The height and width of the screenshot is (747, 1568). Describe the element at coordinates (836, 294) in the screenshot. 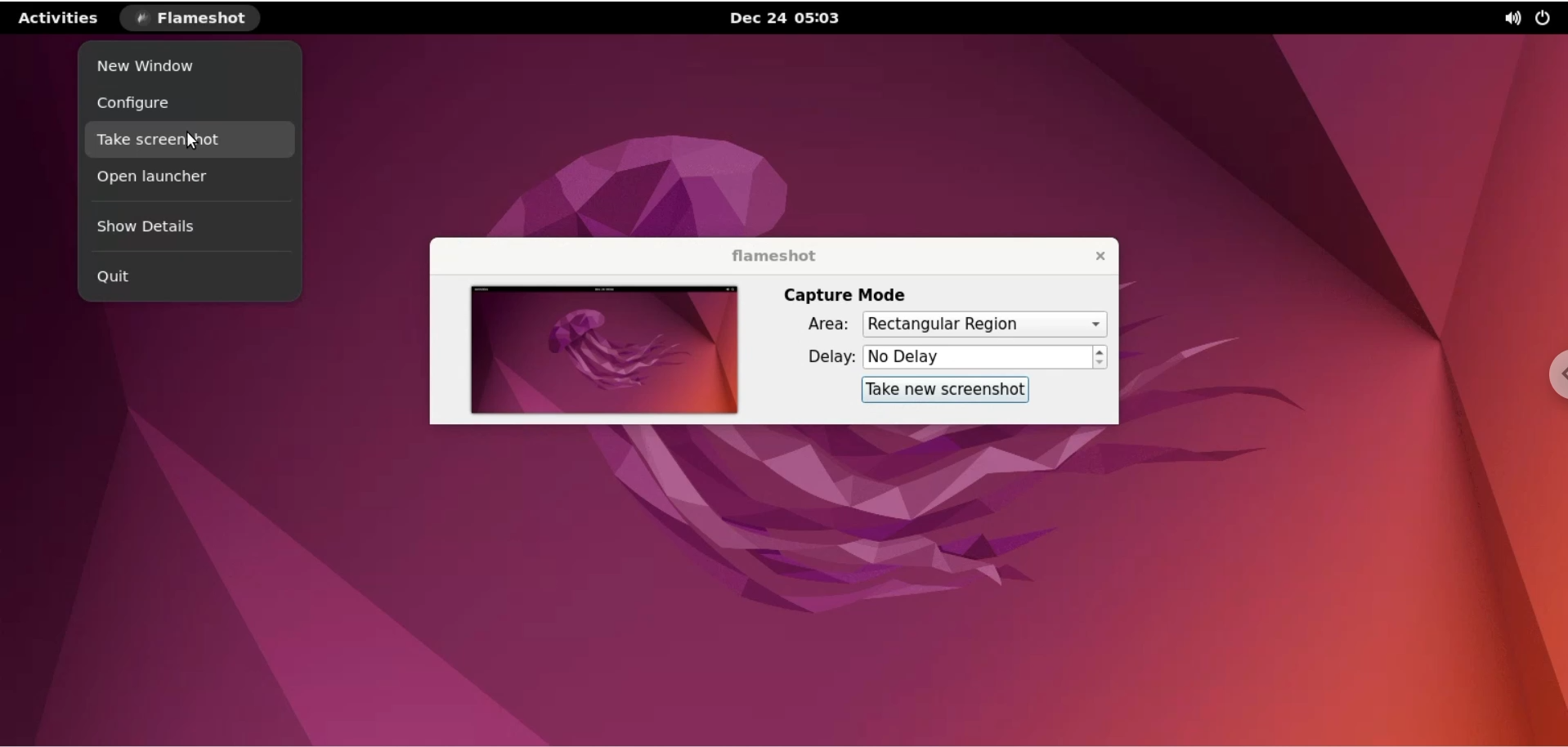

I see `capture mode ` at that location.